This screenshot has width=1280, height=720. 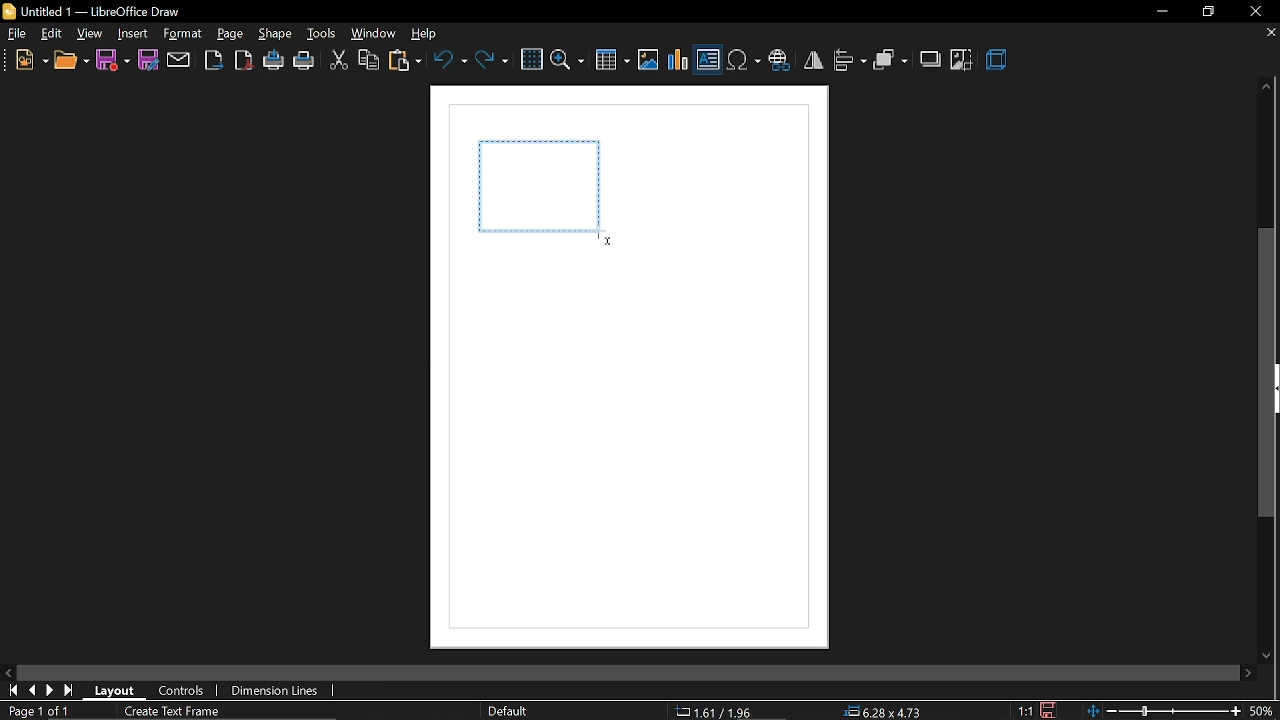 I want to click on save, so click(x=113, y=59).